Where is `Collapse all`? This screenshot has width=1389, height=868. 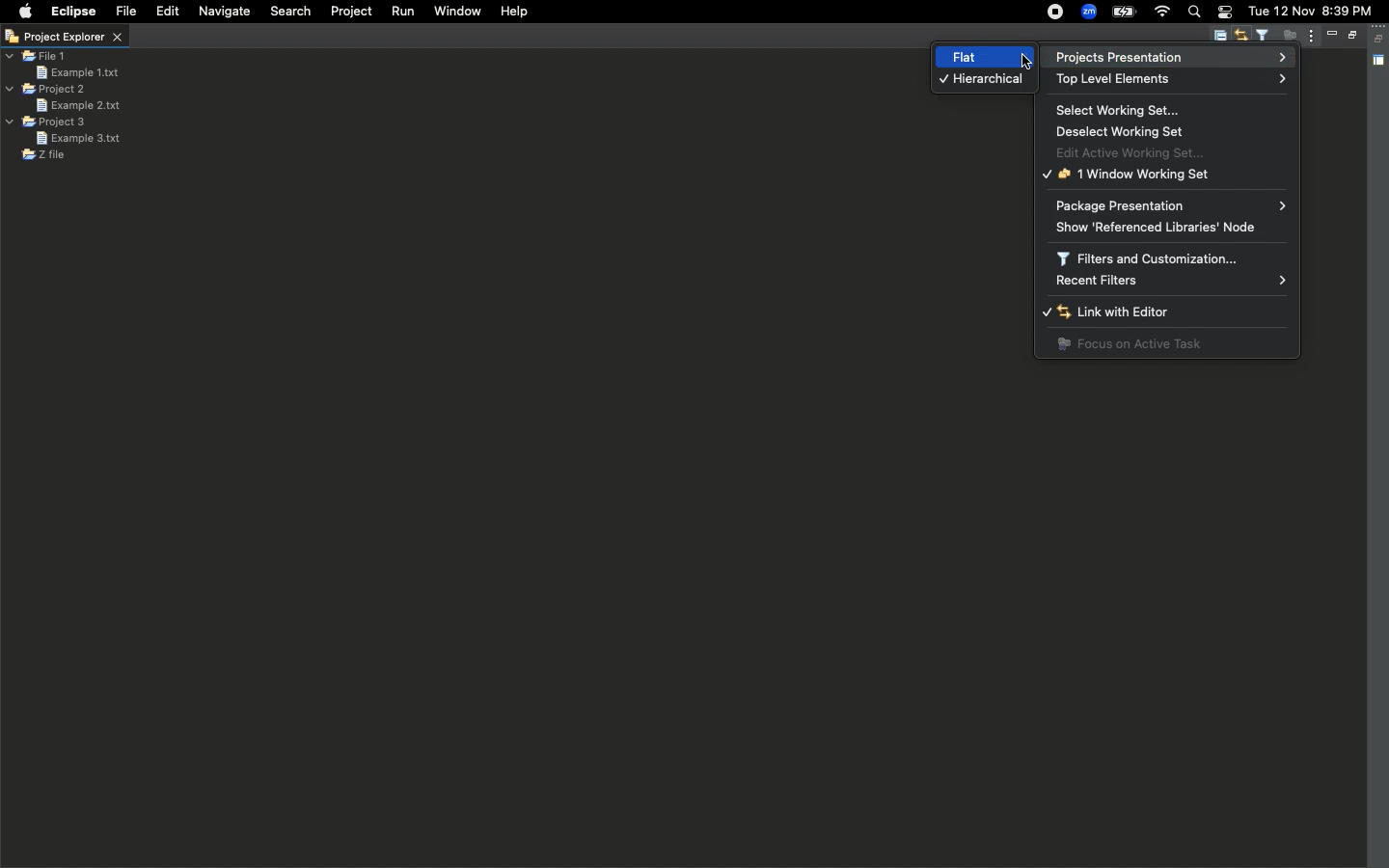
Collapse all is located at coordinates (1219, 38).